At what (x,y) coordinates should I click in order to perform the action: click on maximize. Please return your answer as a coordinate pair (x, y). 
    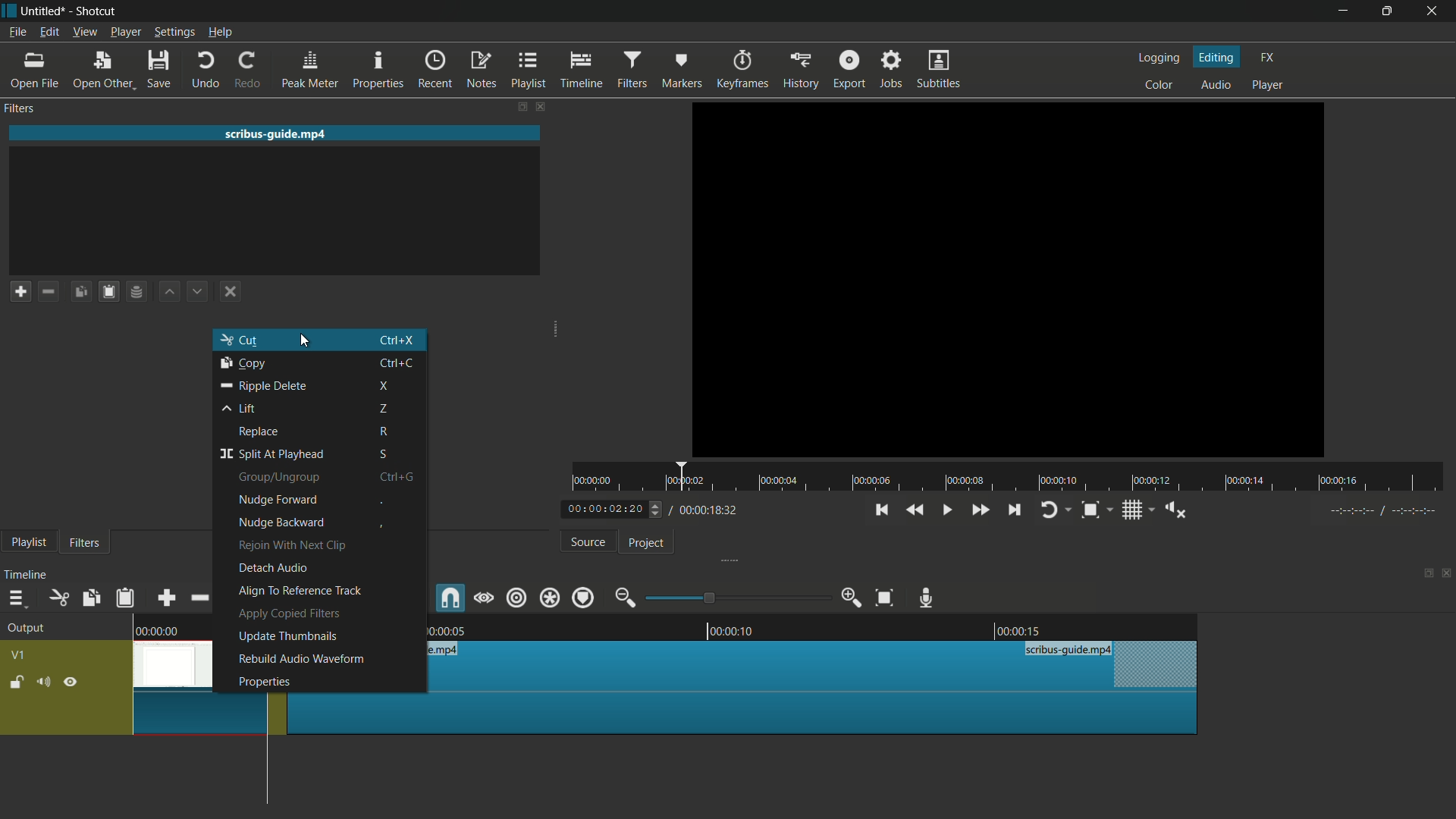
    Looking at the image, I should click on (1389, 11).